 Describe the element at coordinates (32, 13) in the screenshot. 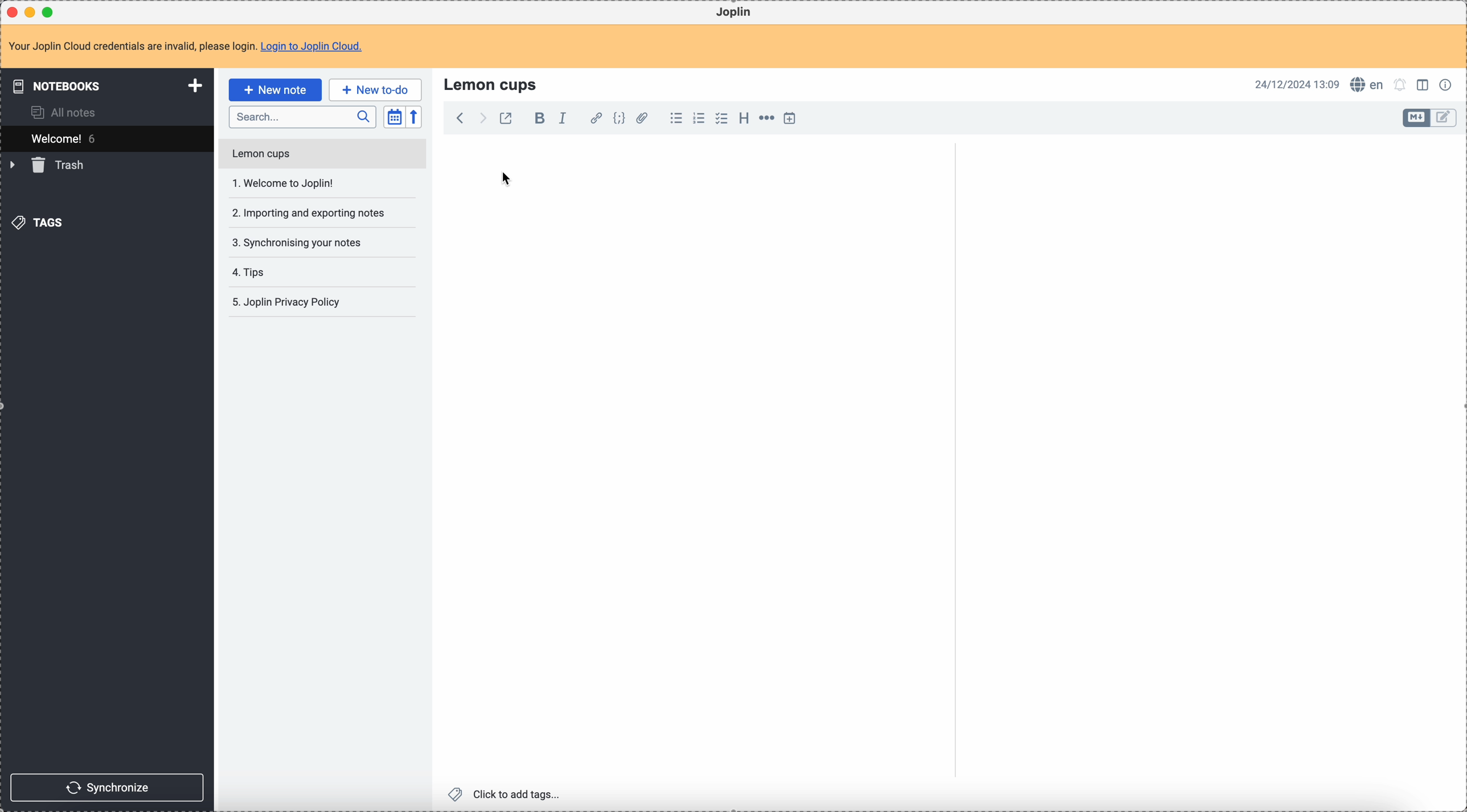

I see `minimize` at that location.